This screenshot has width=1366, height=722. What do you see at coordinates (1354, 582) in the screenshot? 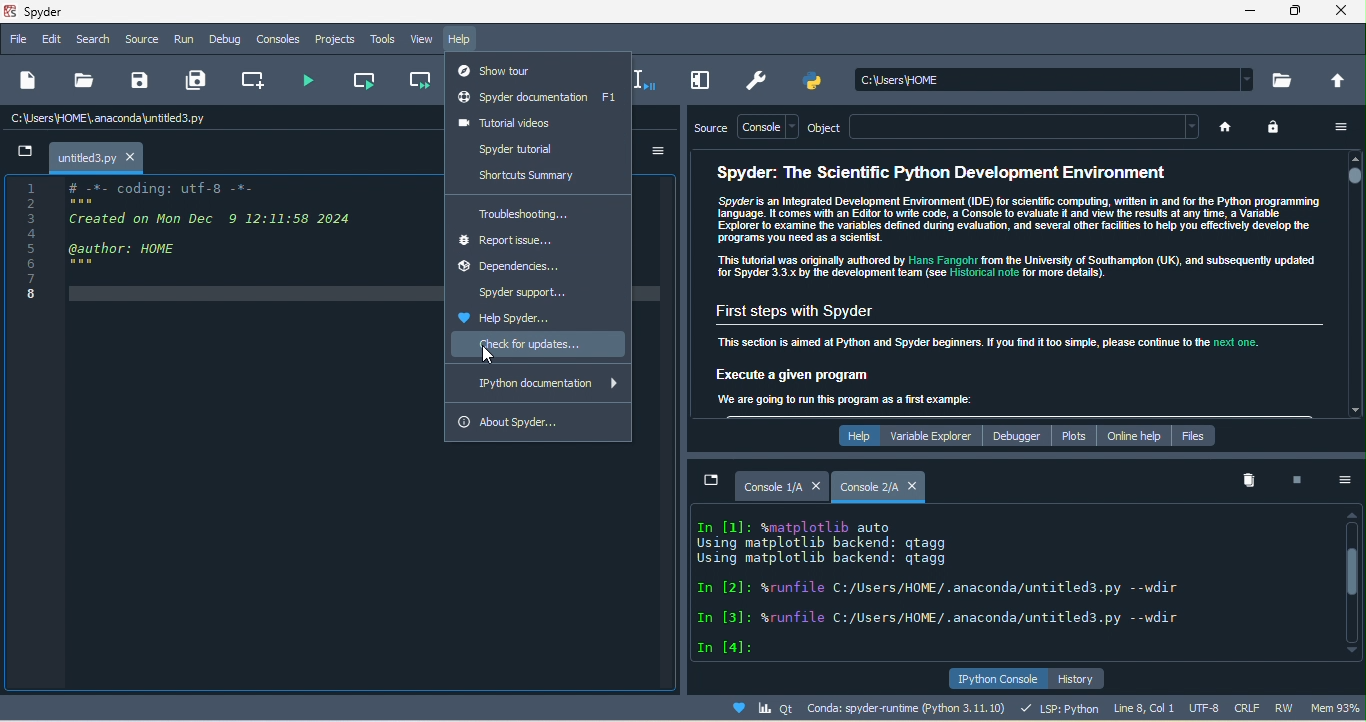
I see `vertical scroll bar` at bounding box center [1354, 582].